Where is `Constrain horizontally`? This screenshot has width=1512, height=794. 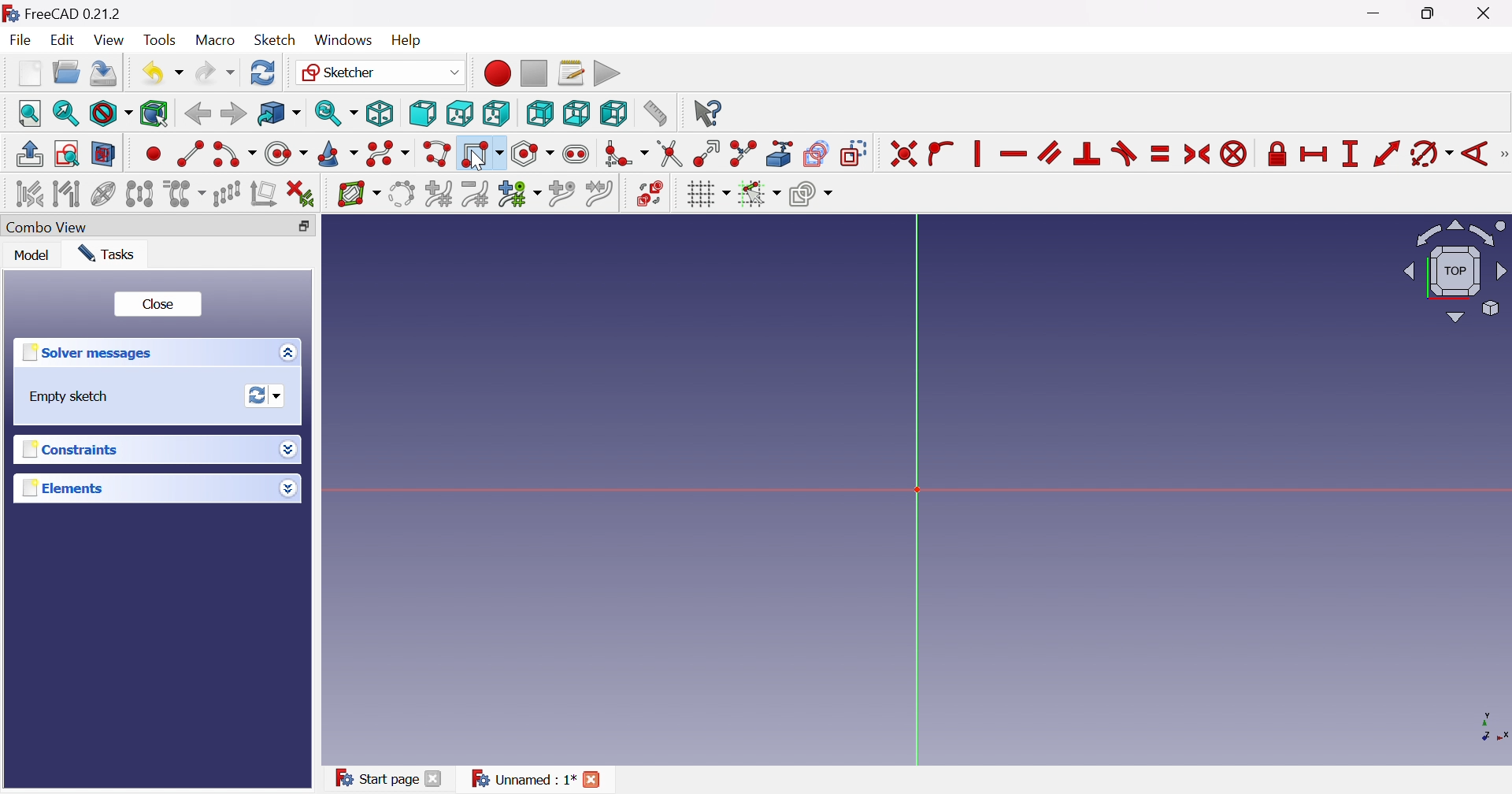
Constrain horizontally is located at coordinates (1014, 154).